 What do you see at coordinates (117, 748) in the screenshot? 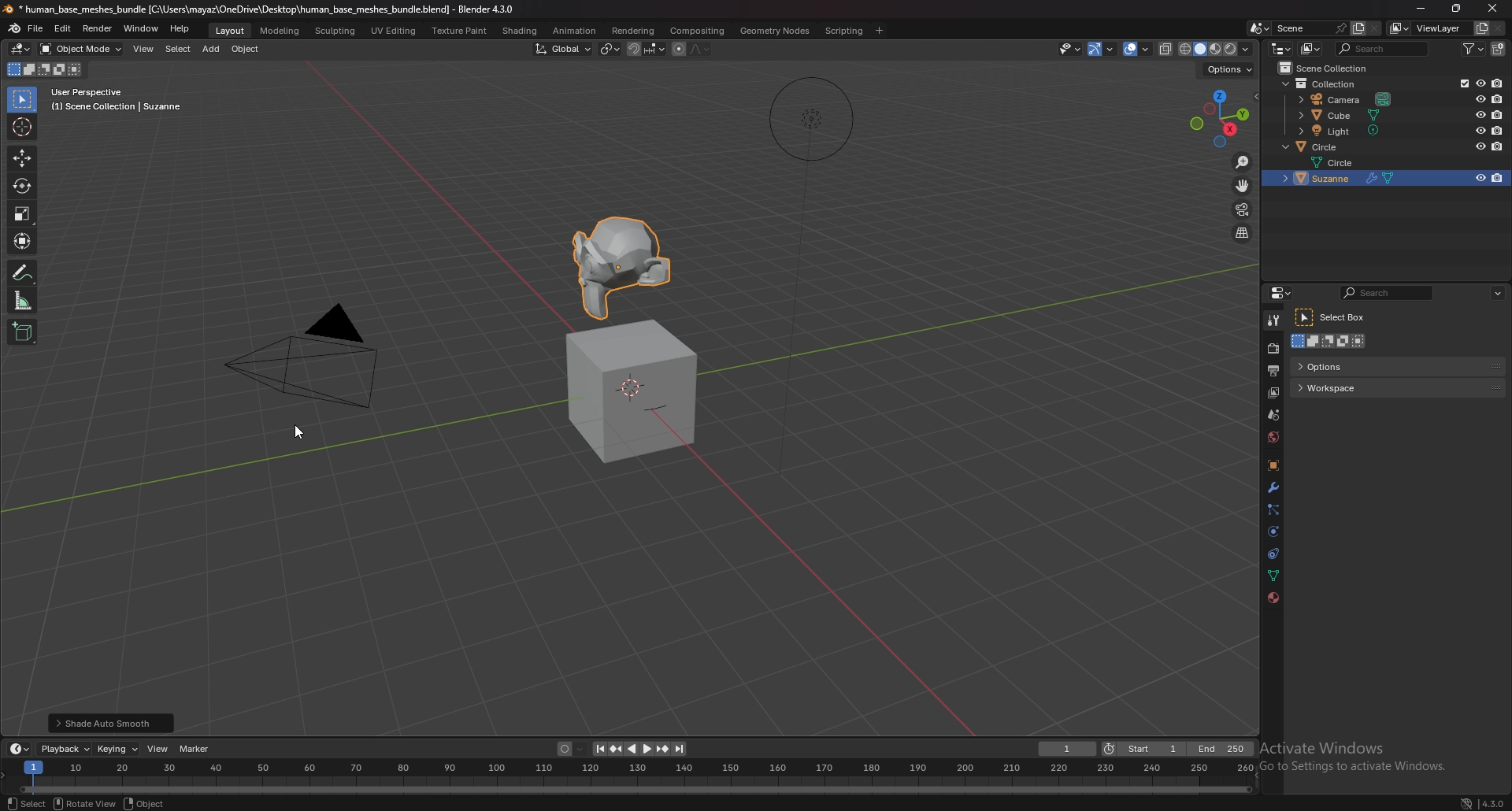
I see `keying` at bounding box center [117, 748].